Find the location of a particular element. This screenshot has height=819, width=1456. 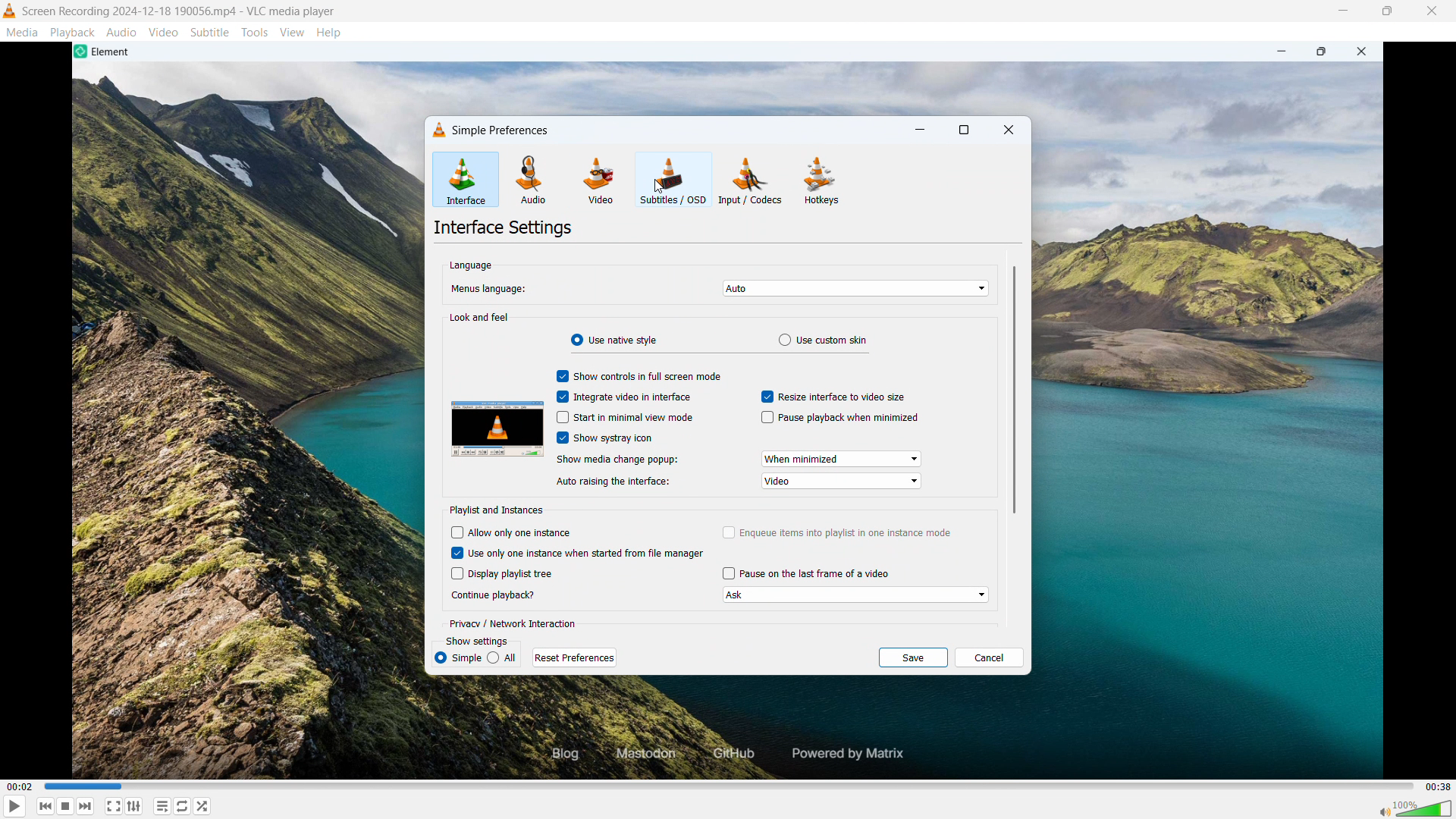

Playlist and instances  is located at coordinates (497, 509).